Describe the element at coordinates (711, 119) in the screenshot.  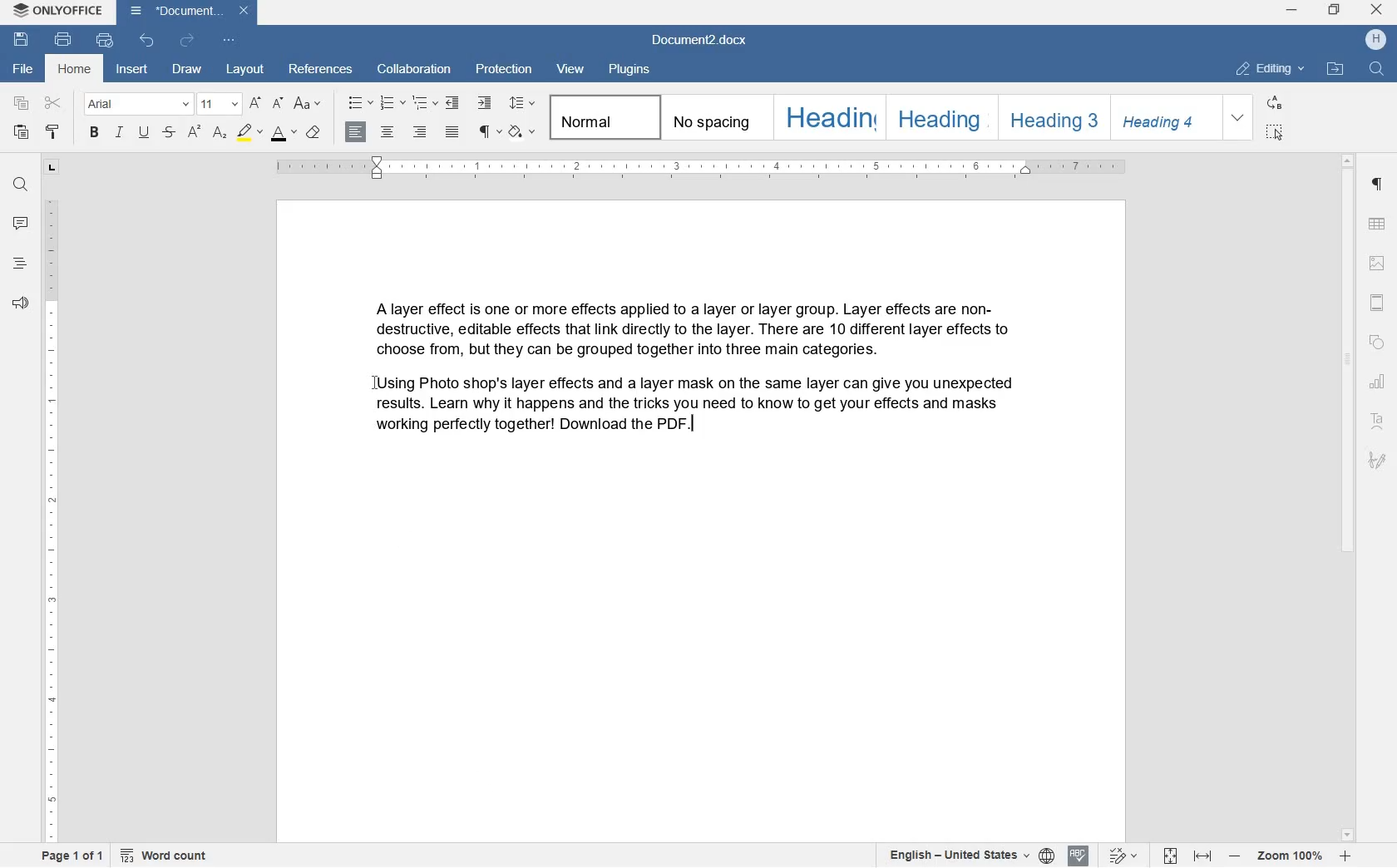
I see `NO SPACING` at that location.